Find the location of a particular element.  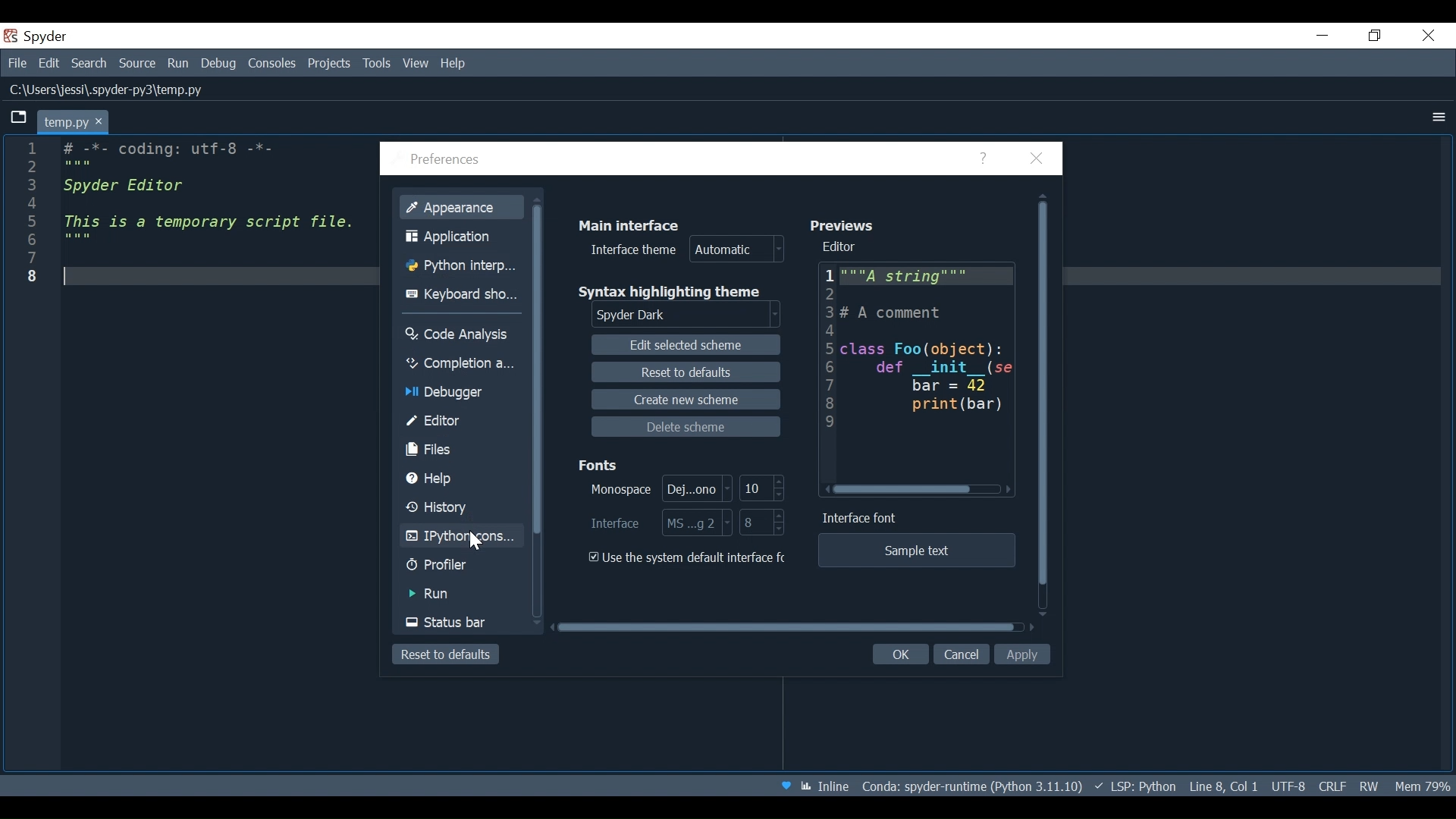

Select Syntax Highlighting theme is located at coordinates (681, 315).